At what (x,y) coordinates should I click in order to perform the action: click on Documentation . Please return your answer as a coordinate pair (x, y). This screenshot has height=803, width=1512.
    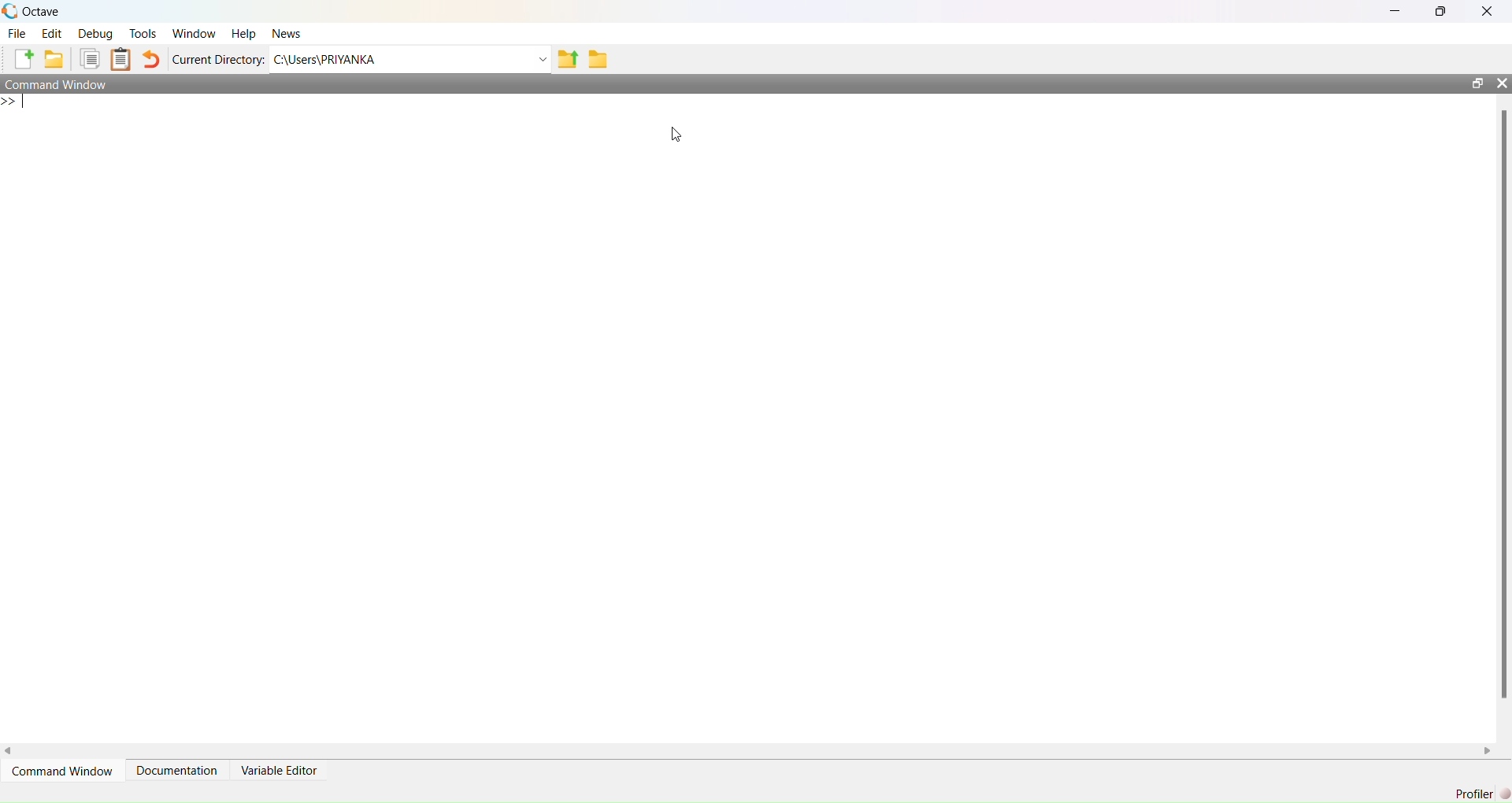
    Looking at the image, I should click on (177, 771).